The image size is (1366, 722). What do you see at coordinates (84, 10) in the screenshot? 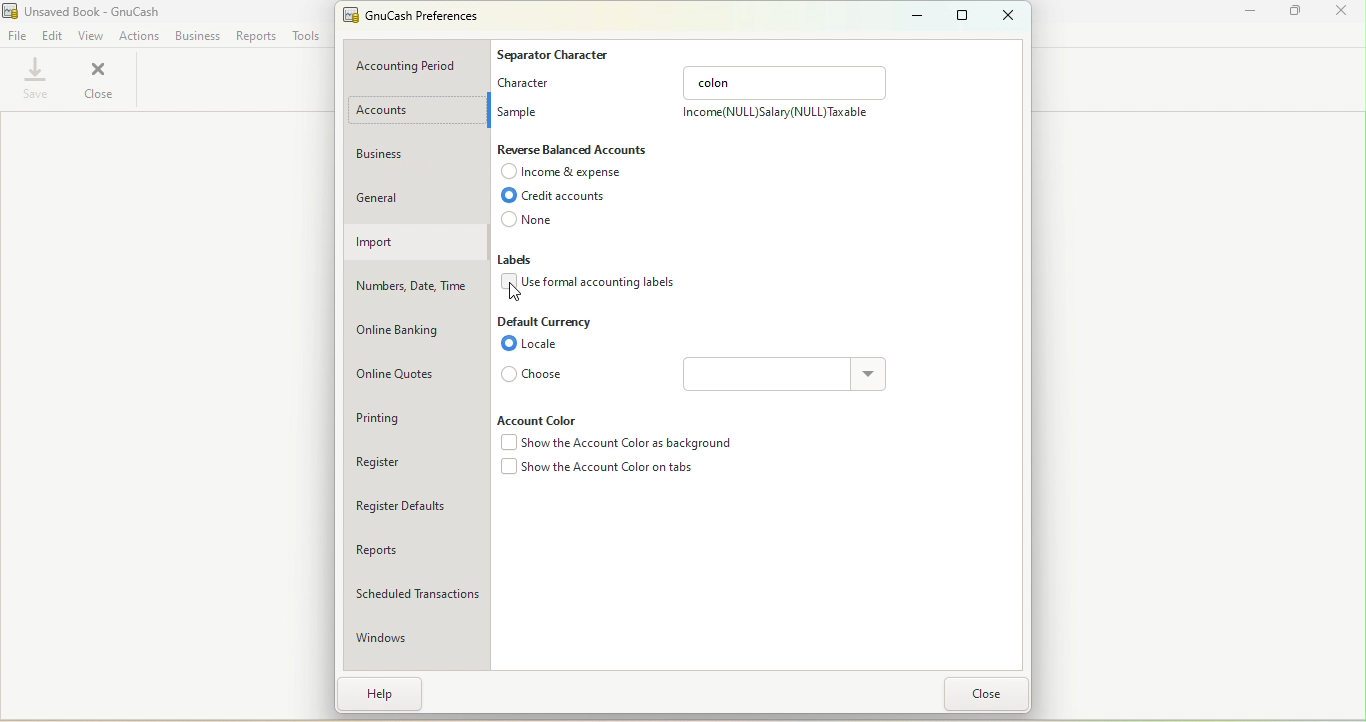
I see `File name` at bounding box center [84, 10].